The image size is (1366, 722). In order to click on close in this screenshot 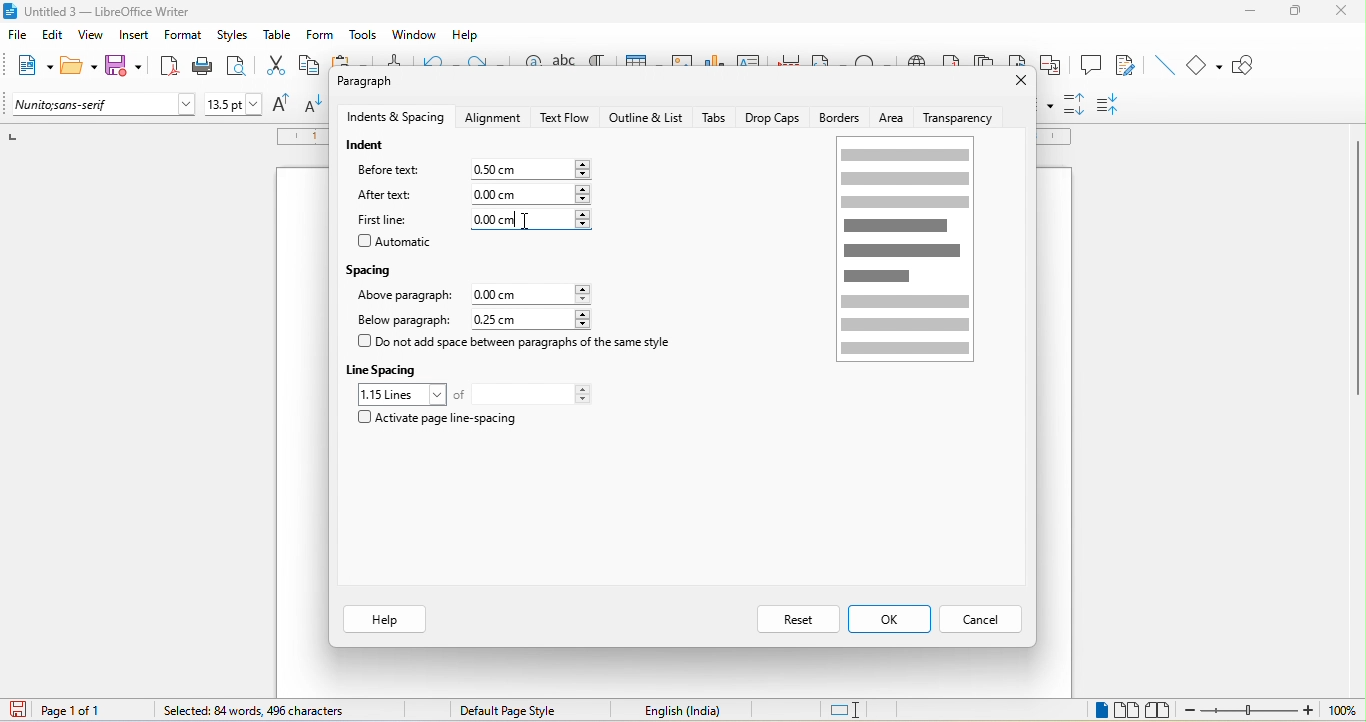, I will do `click(1338, 10)`.